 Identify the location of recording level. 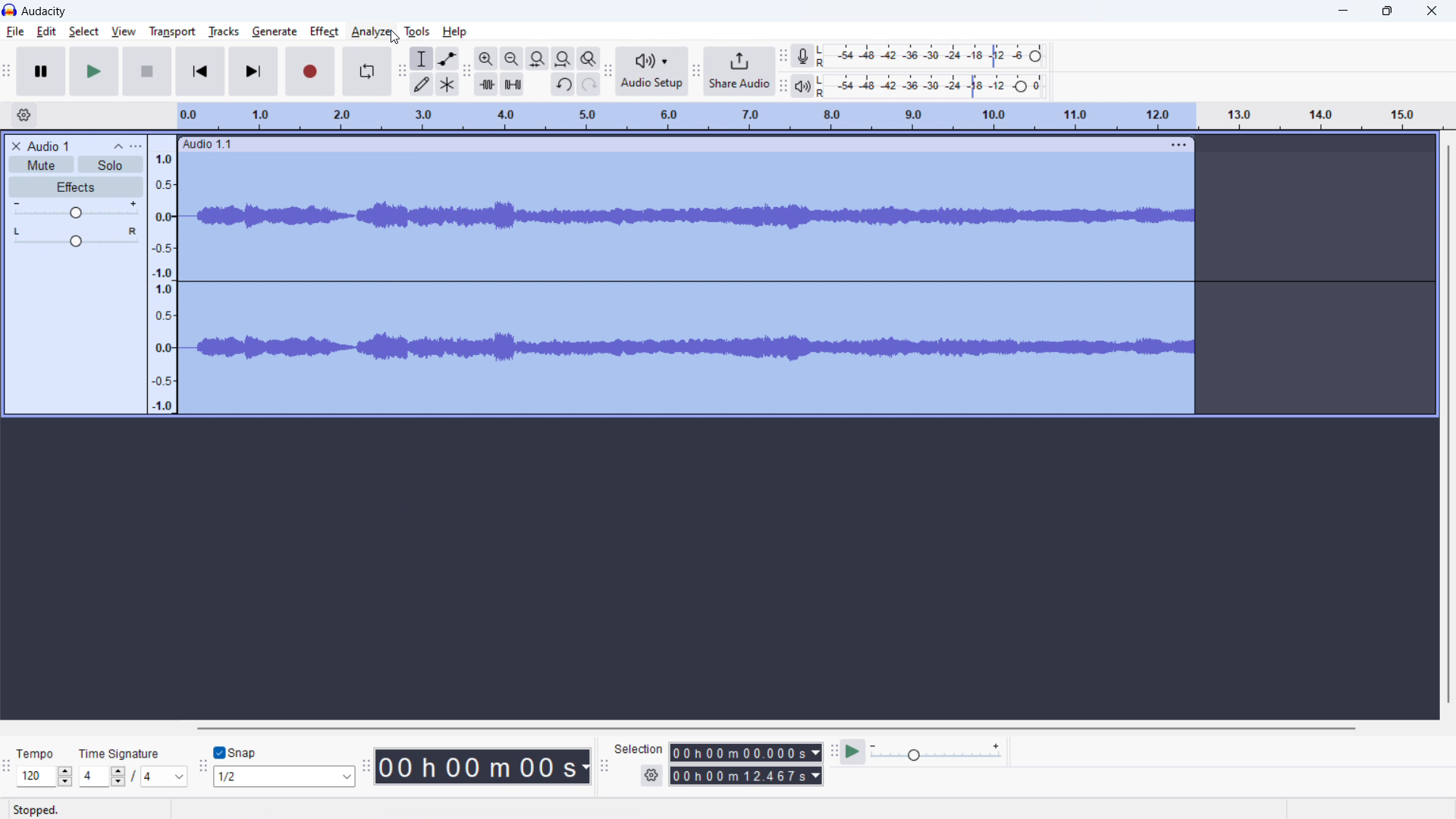
(930, 55).